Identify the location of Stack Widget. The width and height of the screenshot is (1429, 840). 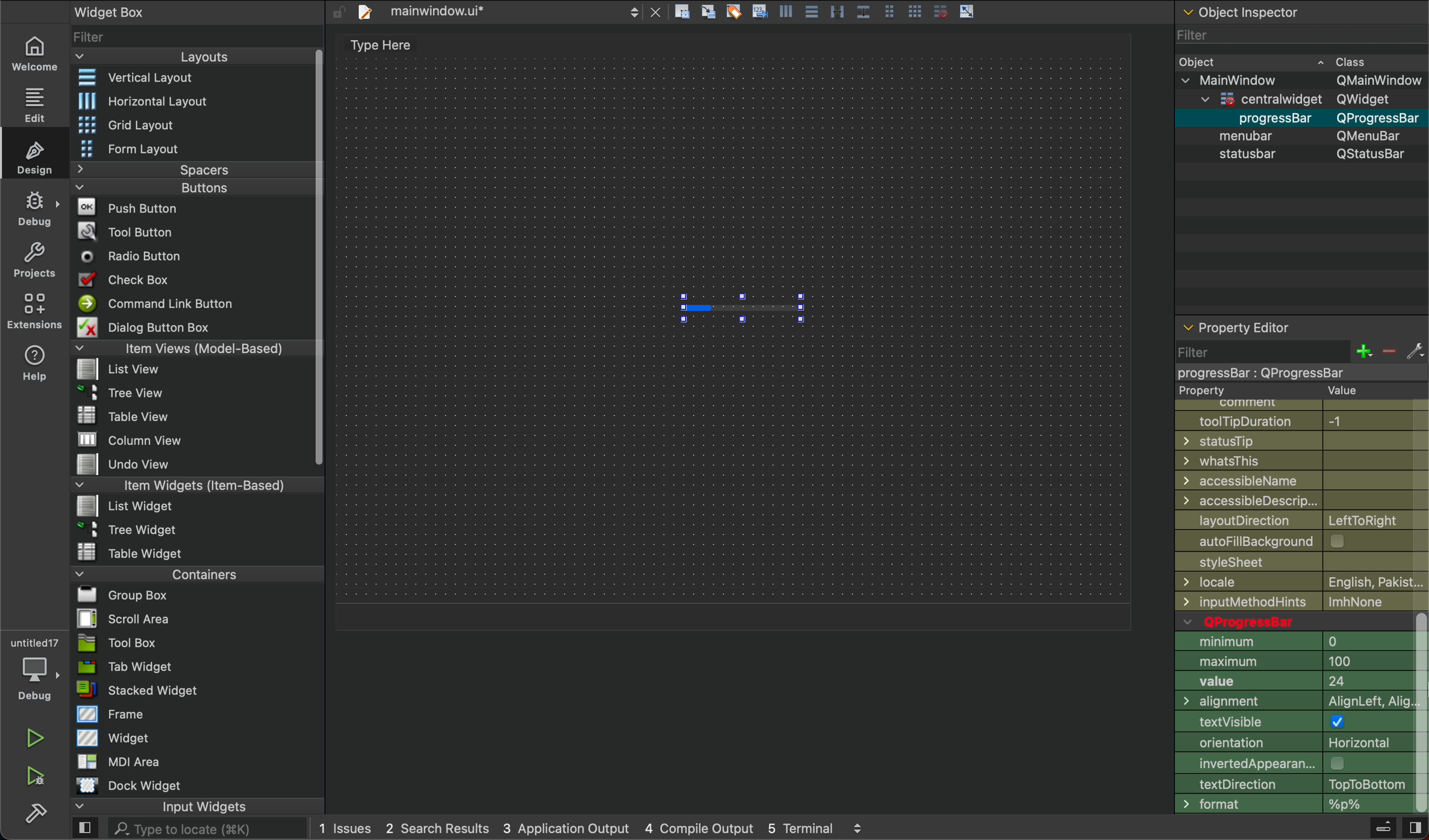
(177, 690).